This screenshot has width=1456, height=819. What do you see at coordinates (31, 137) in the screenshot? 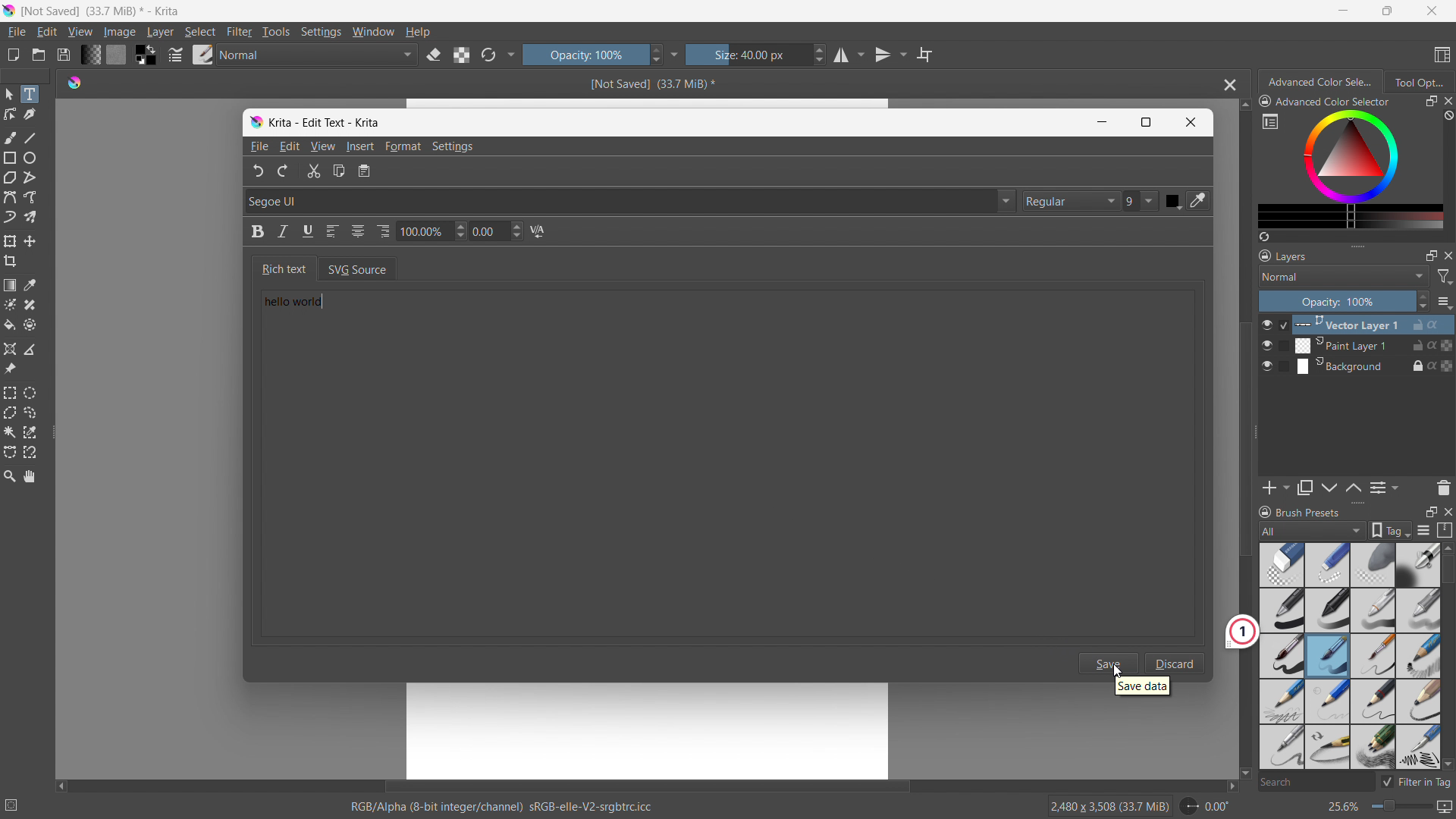
I see `line tool` at bounding box center [31, 137].